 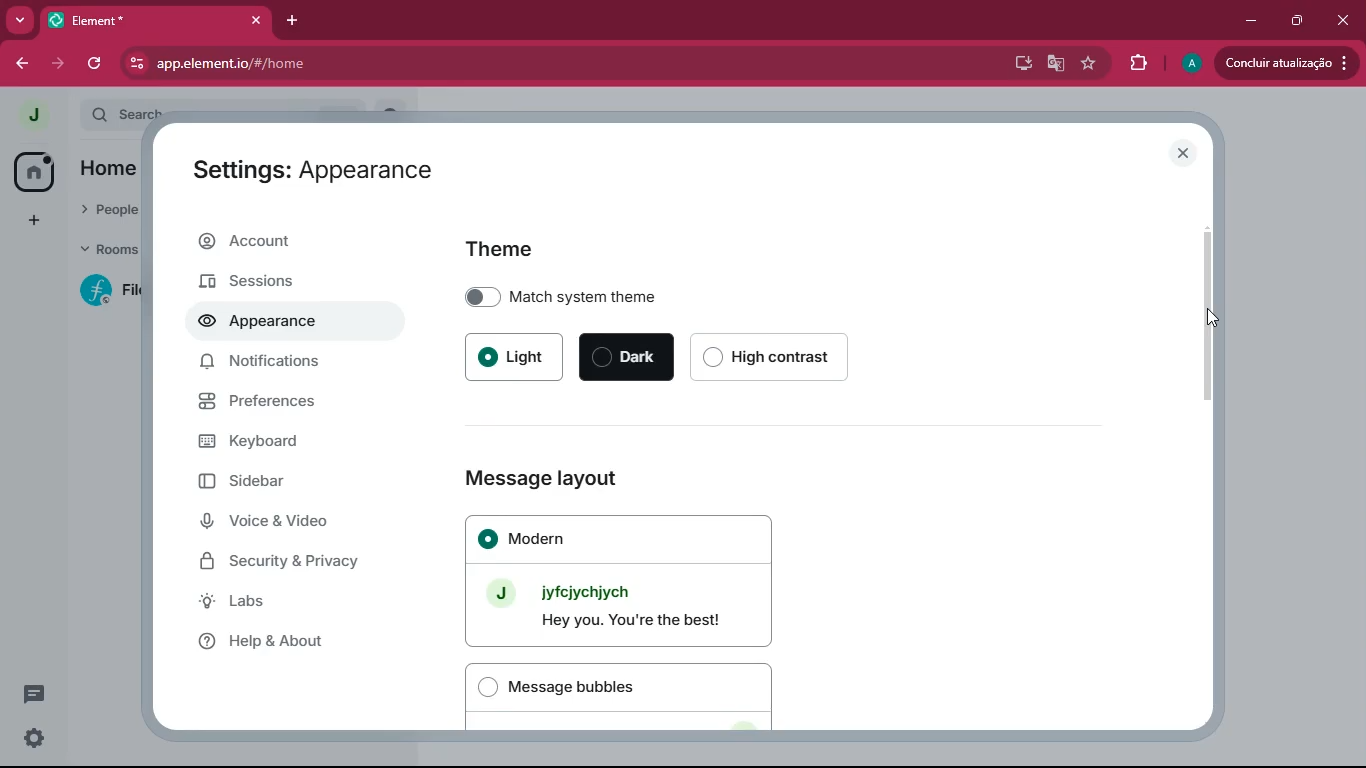 What do you see at coordinates (633, 294) in the screenshot?
I see `match` at bounding box center [633, 294].